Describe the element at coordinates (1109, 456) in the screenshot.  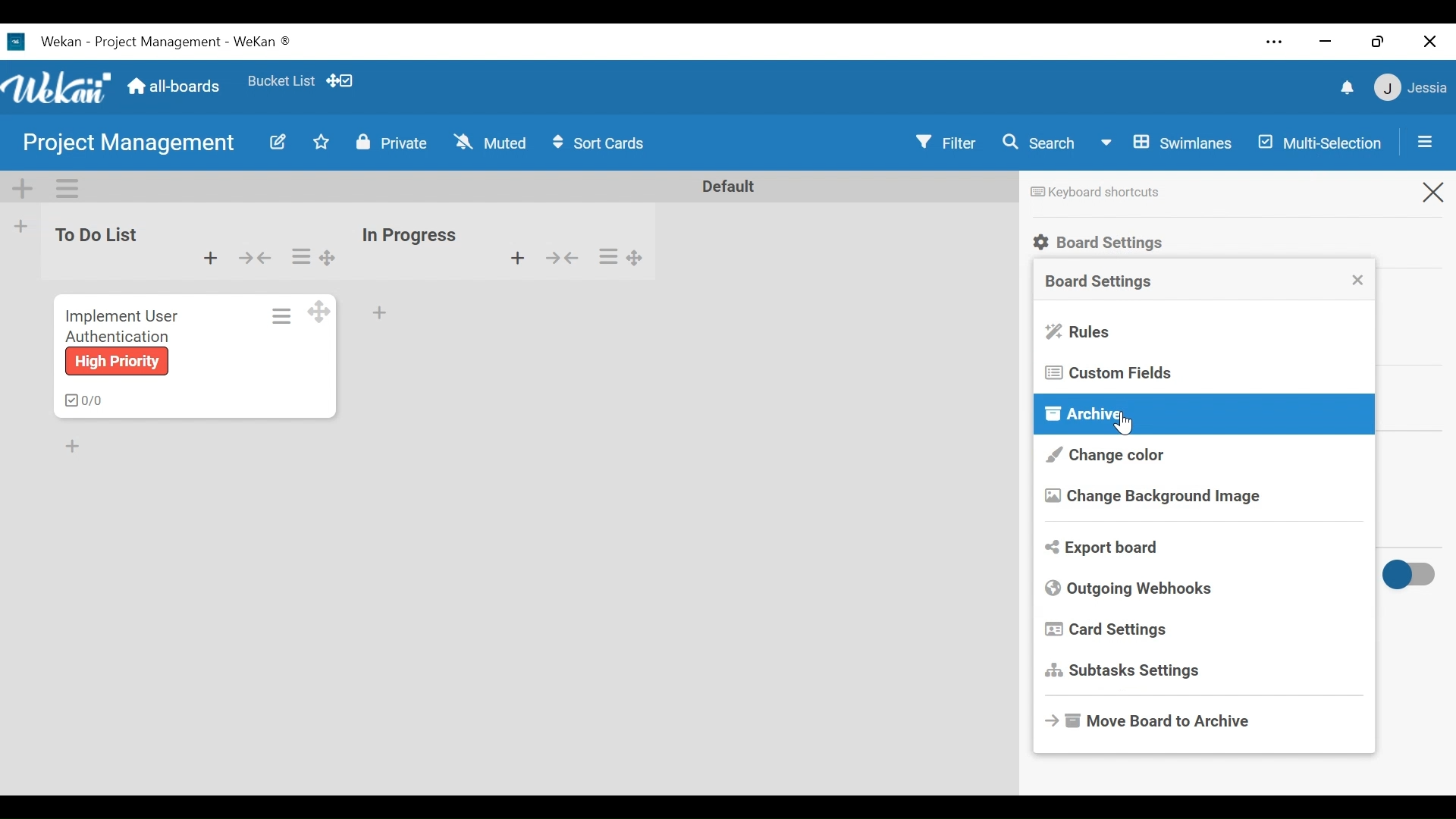
I see `Change Color` at that location.